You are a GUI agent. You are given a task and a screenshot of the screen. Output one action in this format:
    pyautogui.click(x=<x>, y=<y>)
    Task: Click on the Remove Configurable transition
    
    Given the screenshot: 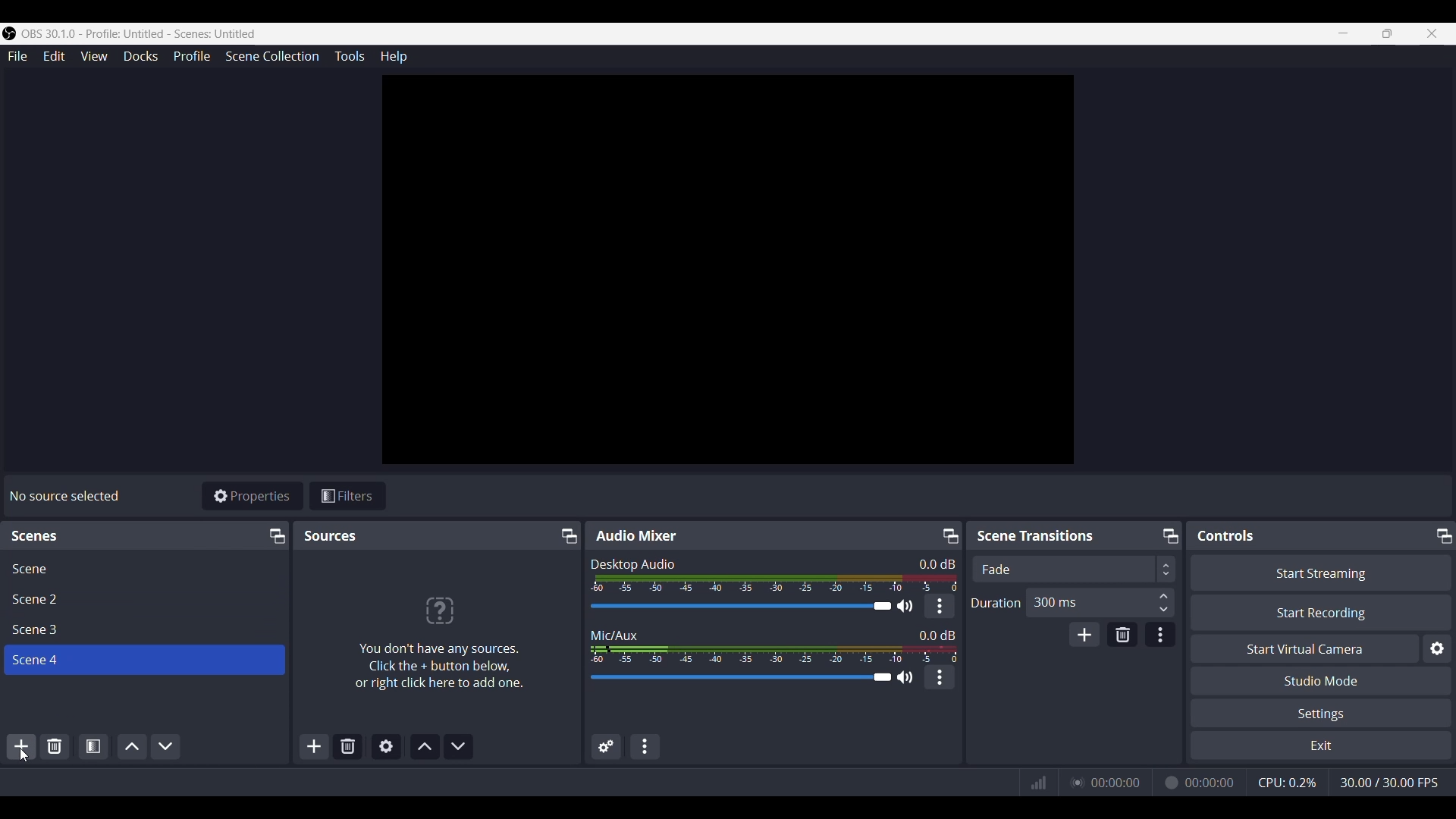 What is the action you would take?
    pyautogui.click(x=1123, y=634)
    